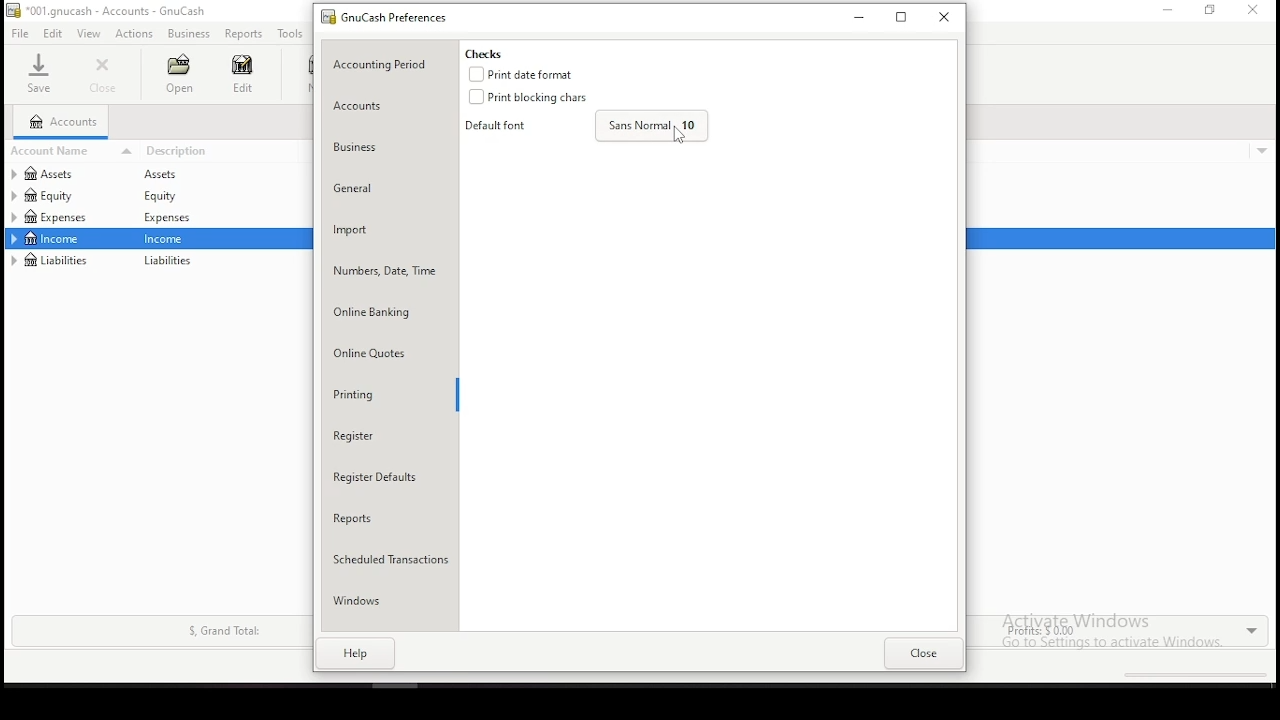  Describe the element at coordinates (168, 239) in the screenshot. I see `income` at that location.